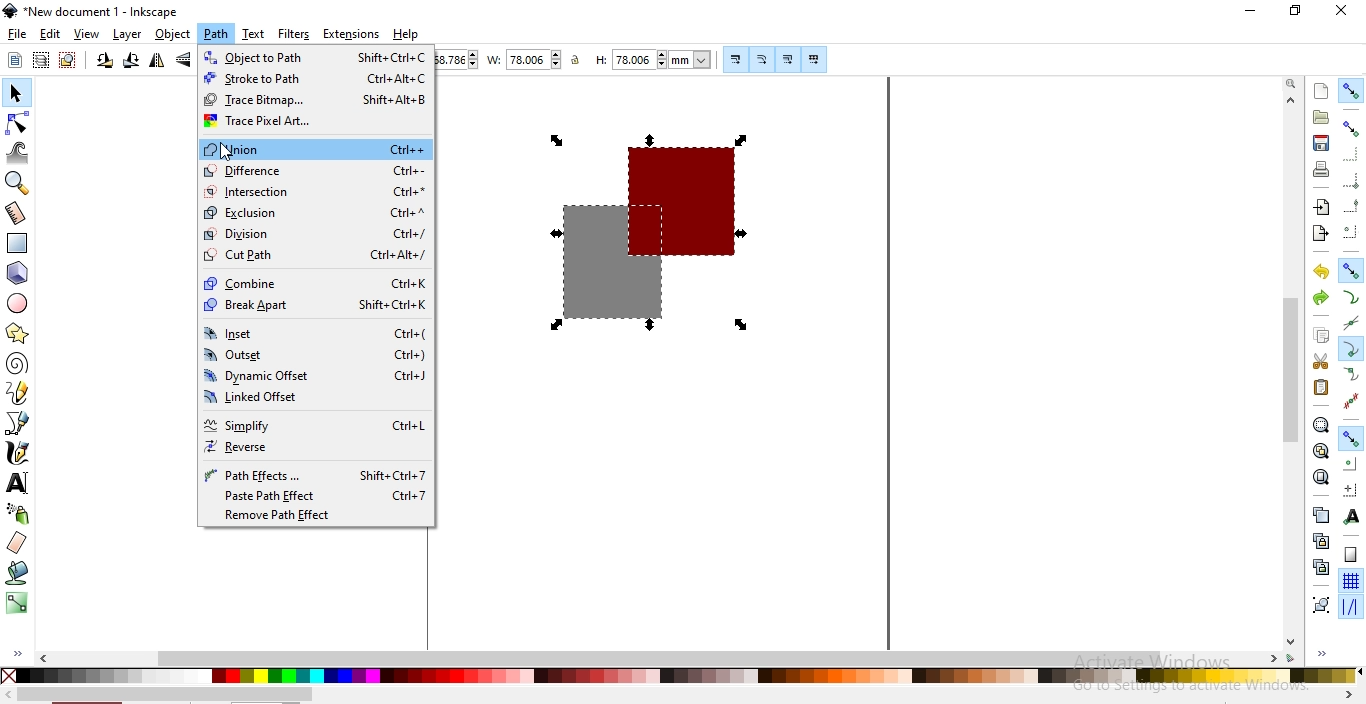  Describe the element at coordinates (49, 34) in the screenshot. I see `edit` at that location.